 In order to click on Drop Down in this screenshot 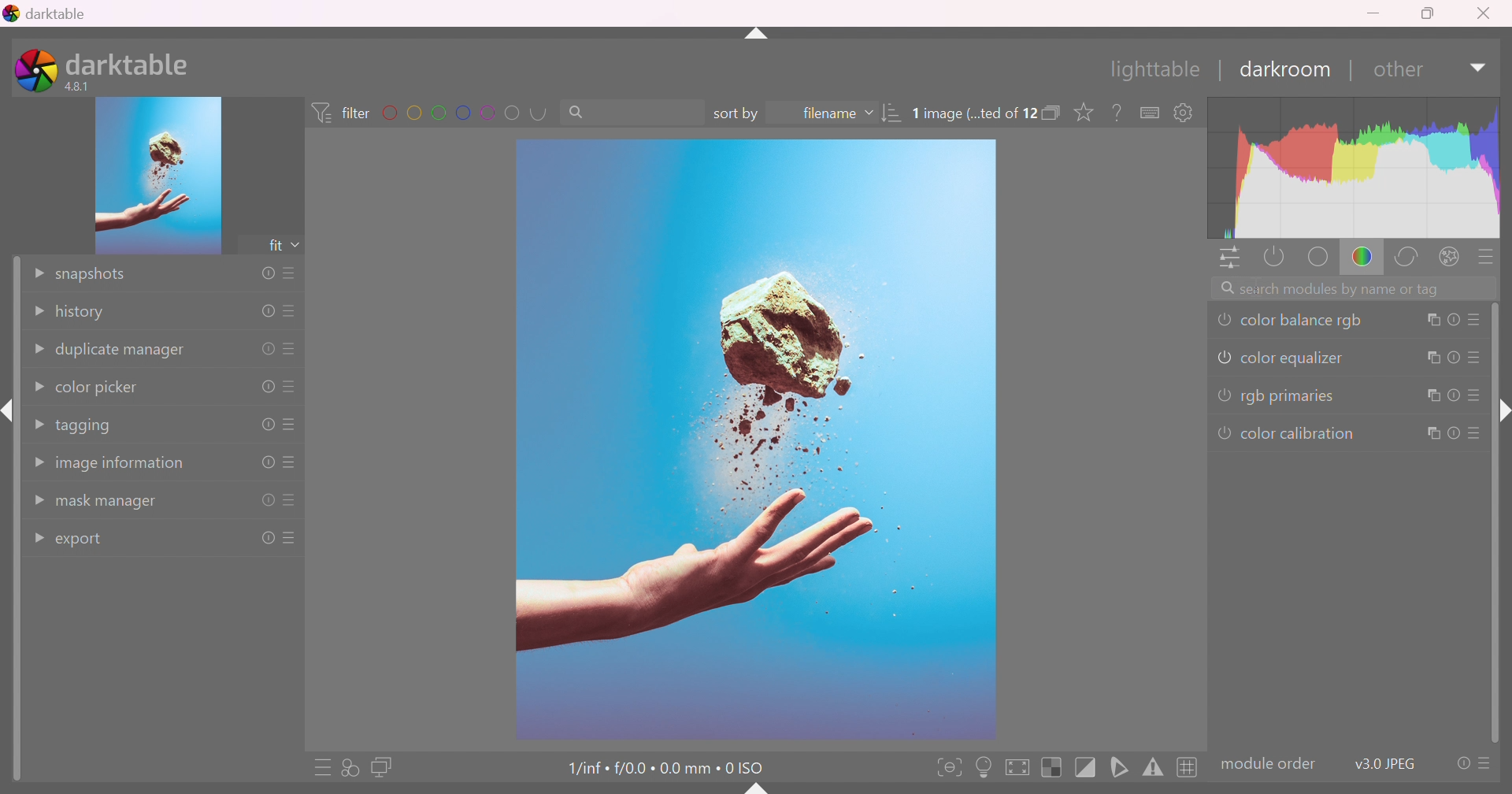, I will do `click(37, 313)`.